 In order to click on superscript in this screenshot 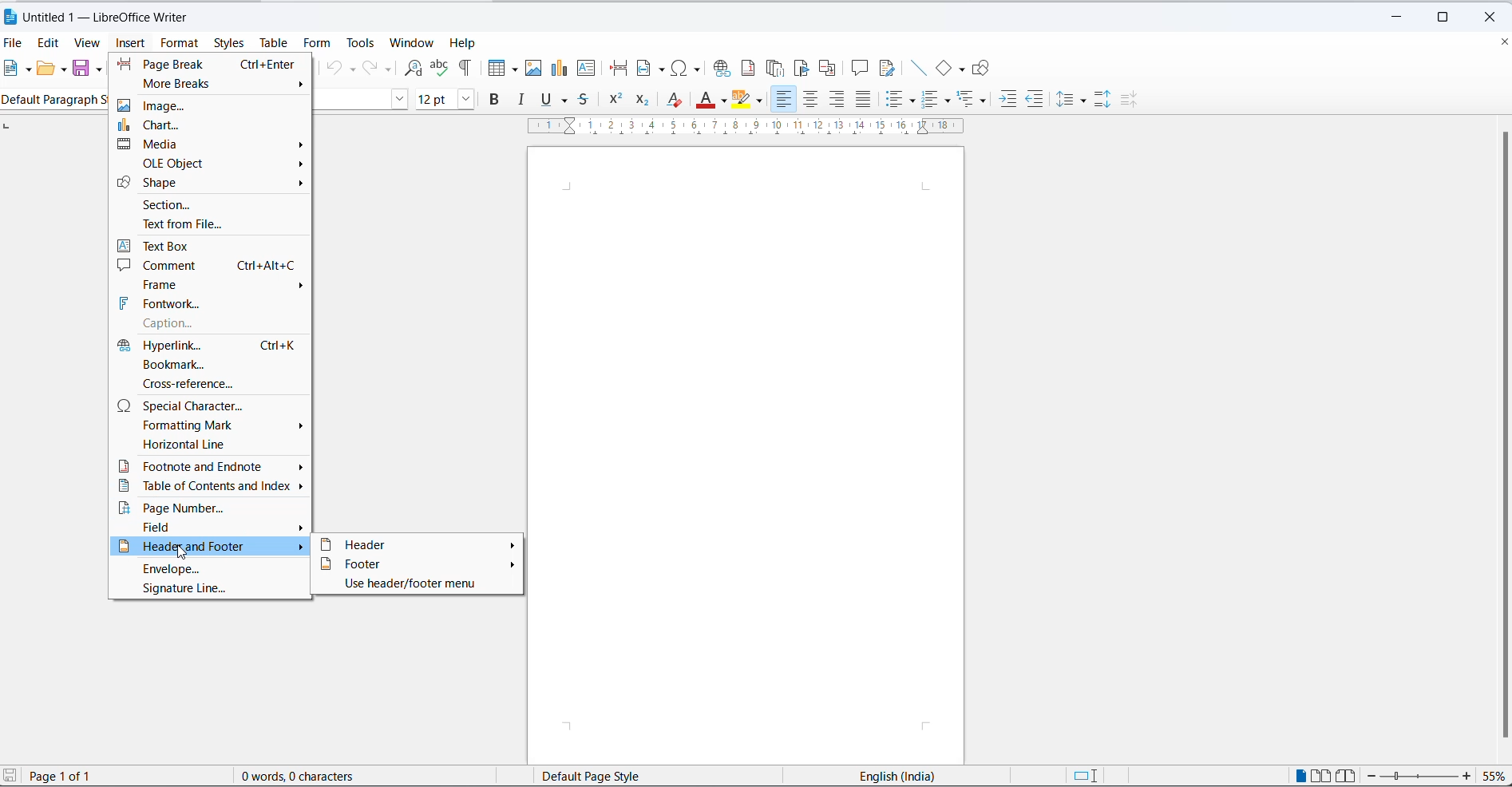, I will do `click(615, 98)`.